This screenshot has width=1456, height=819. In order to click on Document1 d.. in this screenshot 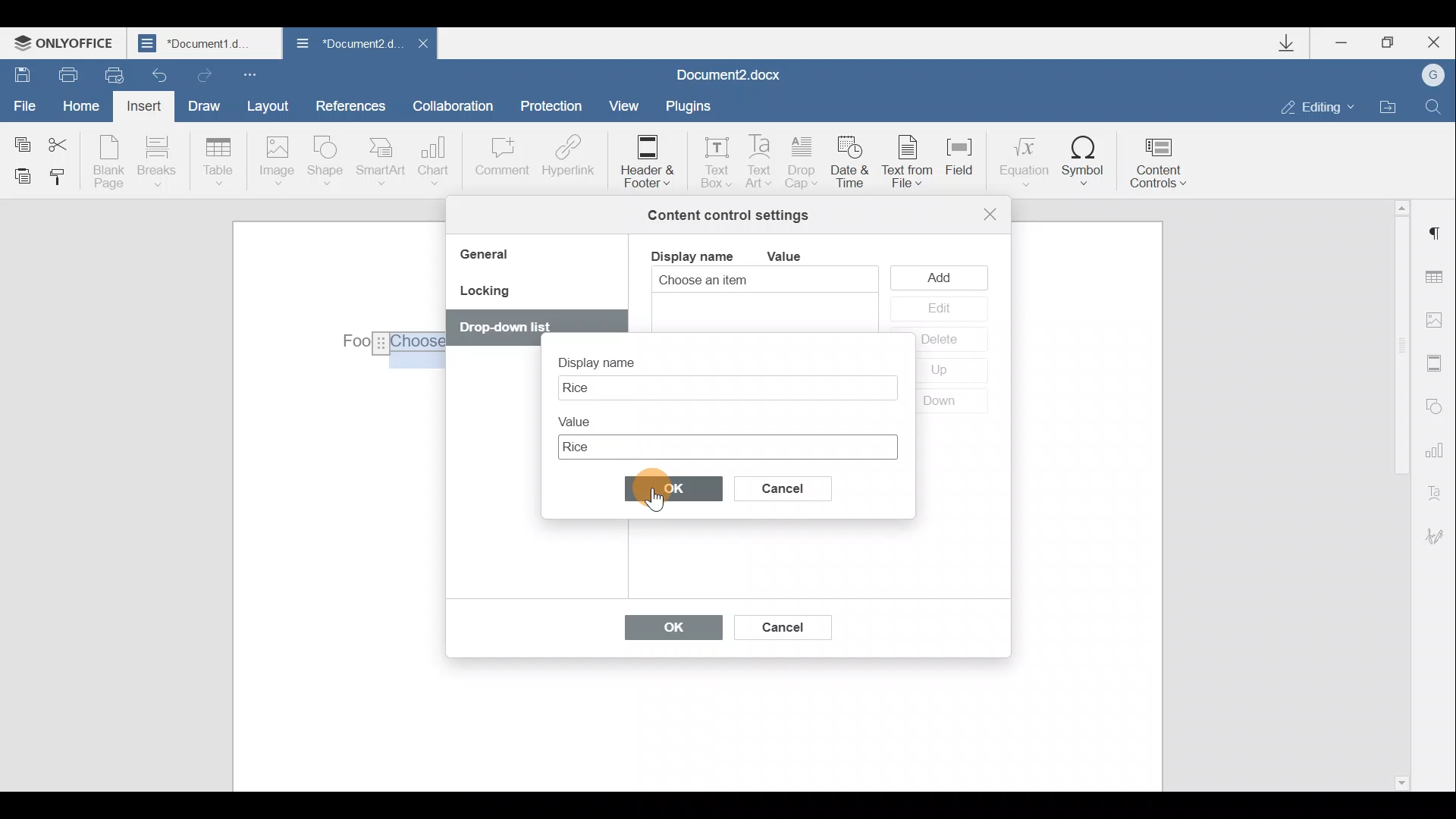, I will do `click(206, 42)`.